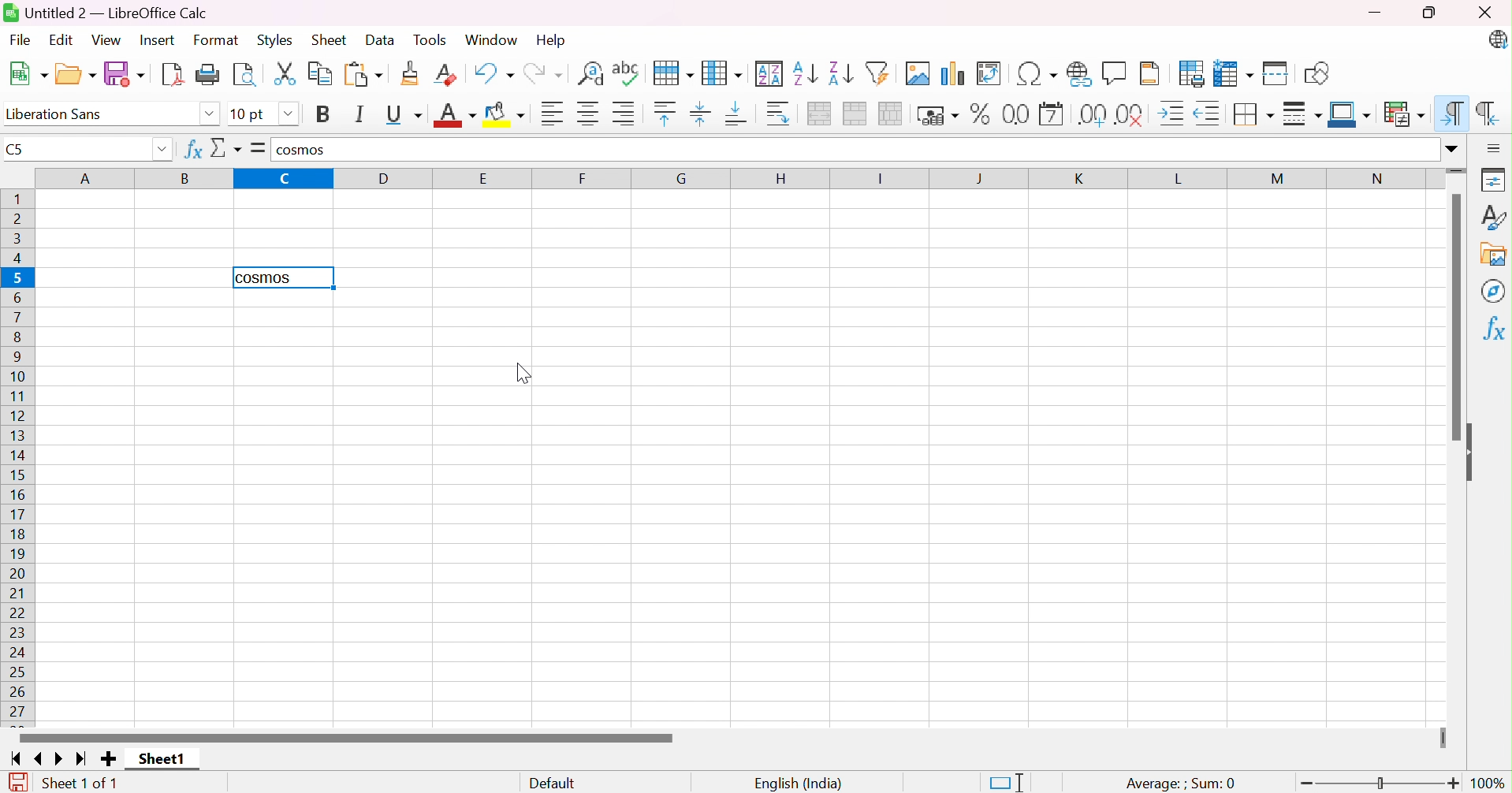  I want to click on Sidebar Settings, so click(1496, 145).